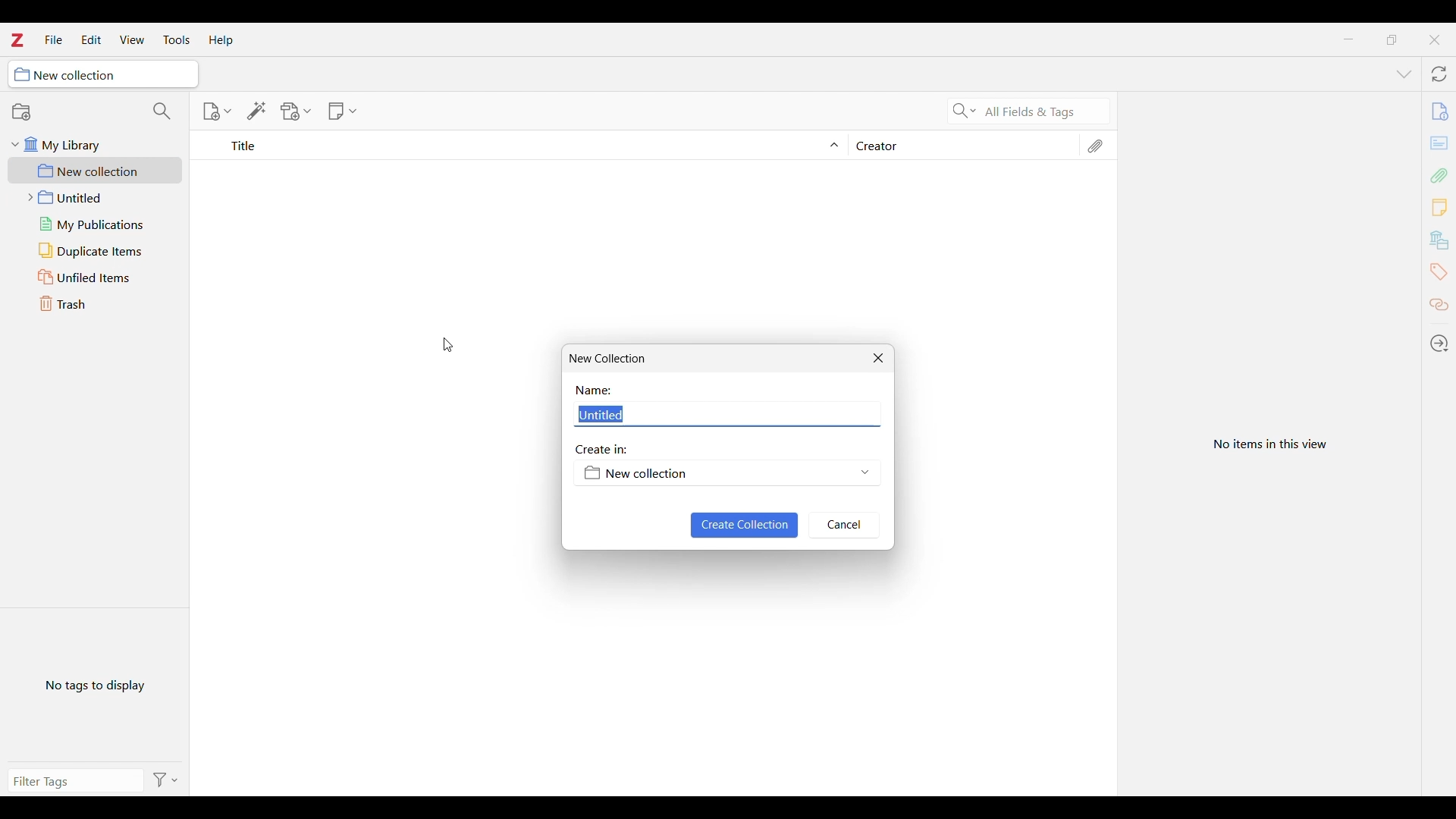 Image resolution: width=1456 pixels, height=819 pixels. What do you see at coordinates (95, 303) in the screenshot?
I see `Trash folder` at bounding box center [95, 303].